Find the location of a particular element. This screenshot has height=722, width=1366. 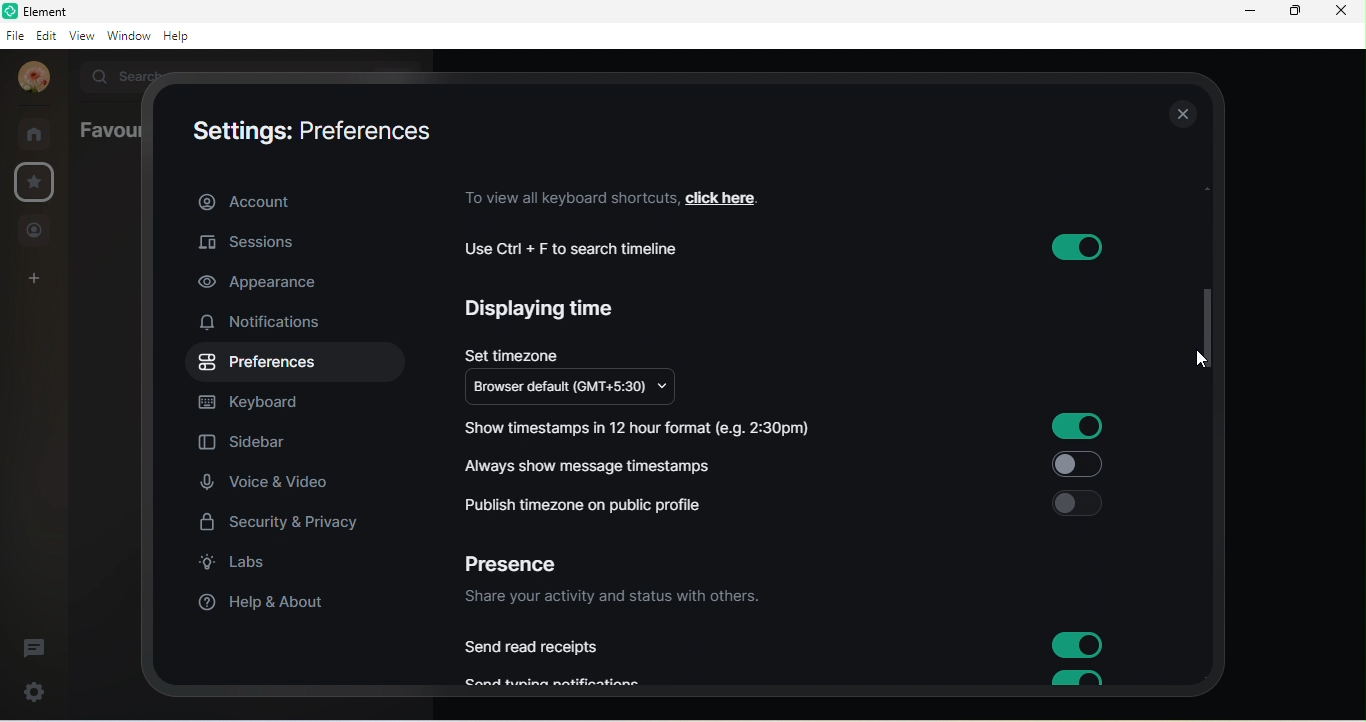

always show message timestamps is located at coordinates (595, 464).